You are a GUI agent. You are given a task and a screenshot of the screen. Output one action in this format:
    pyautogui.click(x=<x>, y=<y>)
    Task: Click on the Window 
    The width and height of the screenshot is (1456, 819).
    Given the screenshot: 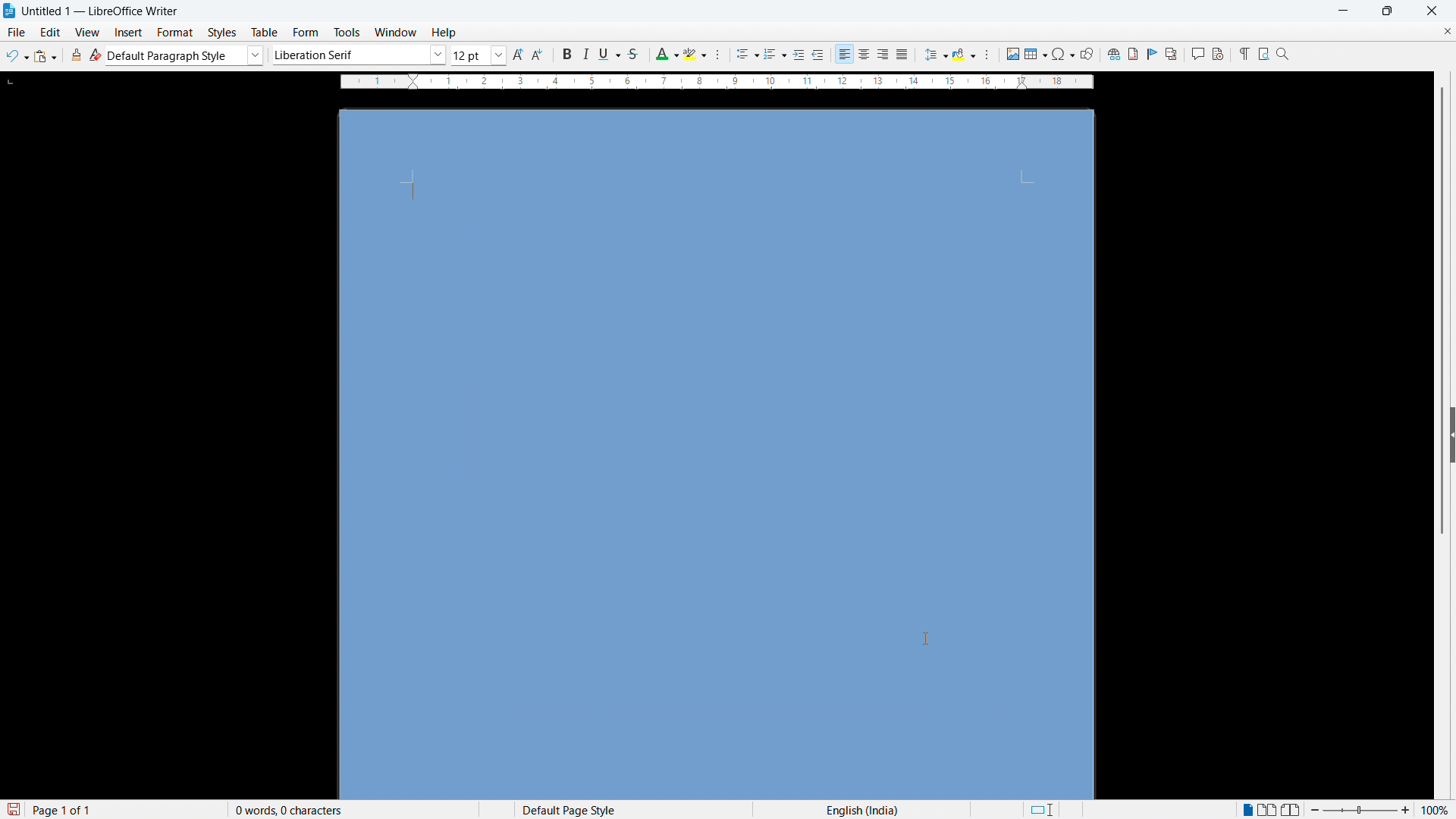 What is the action you would take?
    pyautogui.click(x=394, y=33)
    